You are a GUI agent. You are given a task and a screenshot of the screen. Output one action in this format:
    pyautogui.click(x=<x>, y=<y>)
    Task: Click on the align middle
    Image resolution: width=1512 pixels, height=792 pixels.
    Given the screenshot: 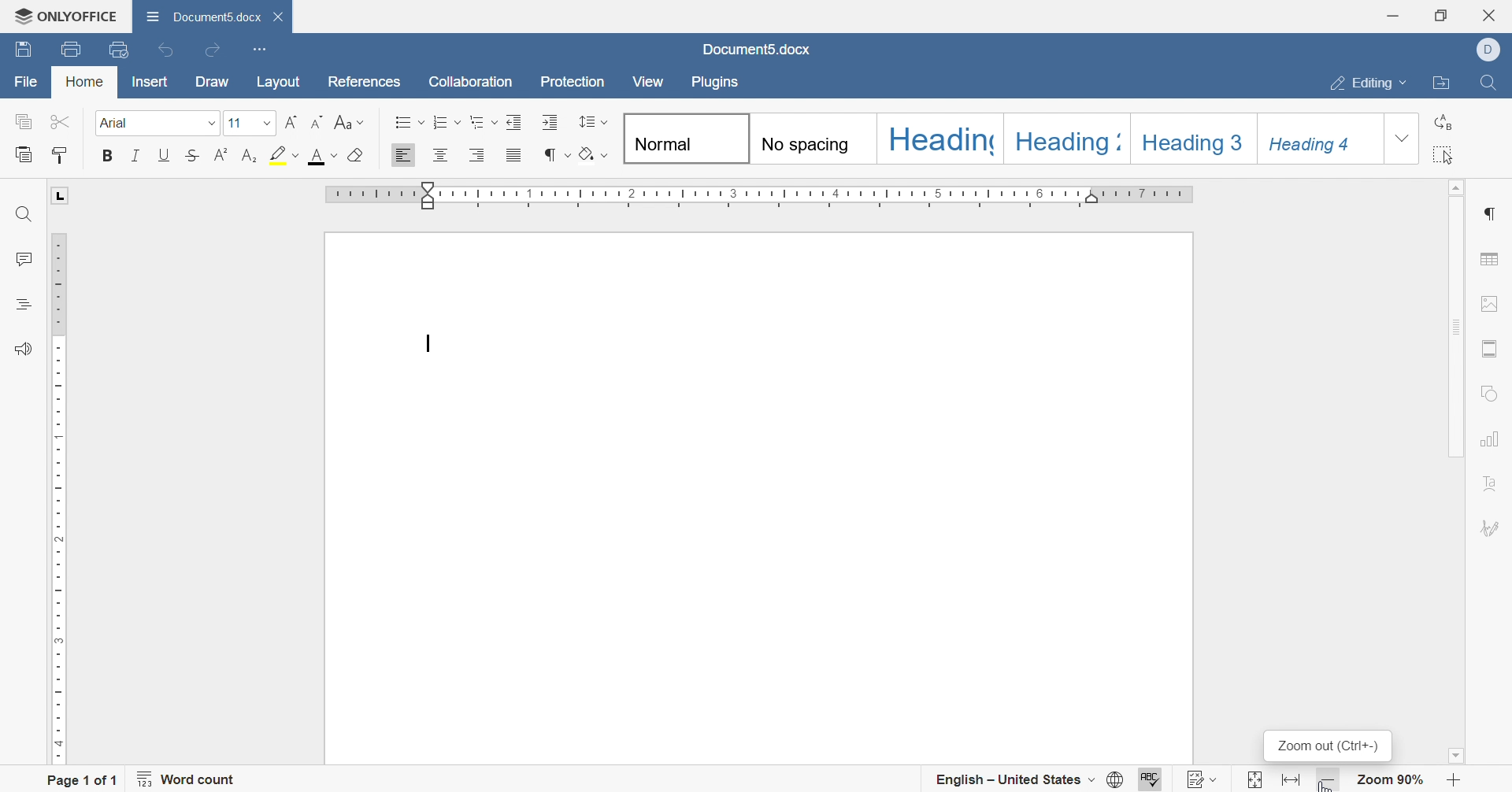 What is the action you would take?
    pyautogui.click(x=442, y=154)
    